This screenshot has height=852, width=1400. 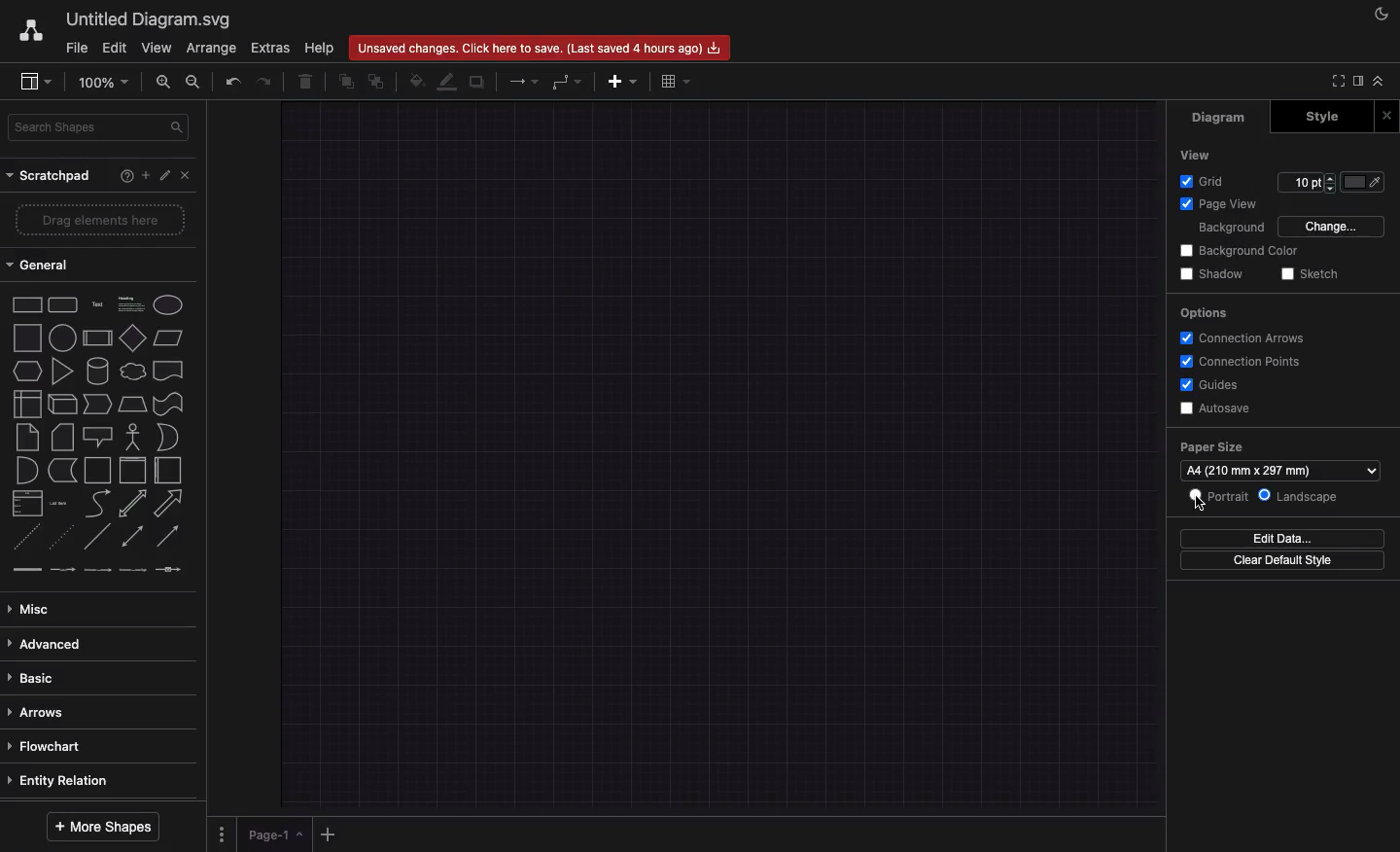 I want to click on Zoom, so click(x=103, y=83).